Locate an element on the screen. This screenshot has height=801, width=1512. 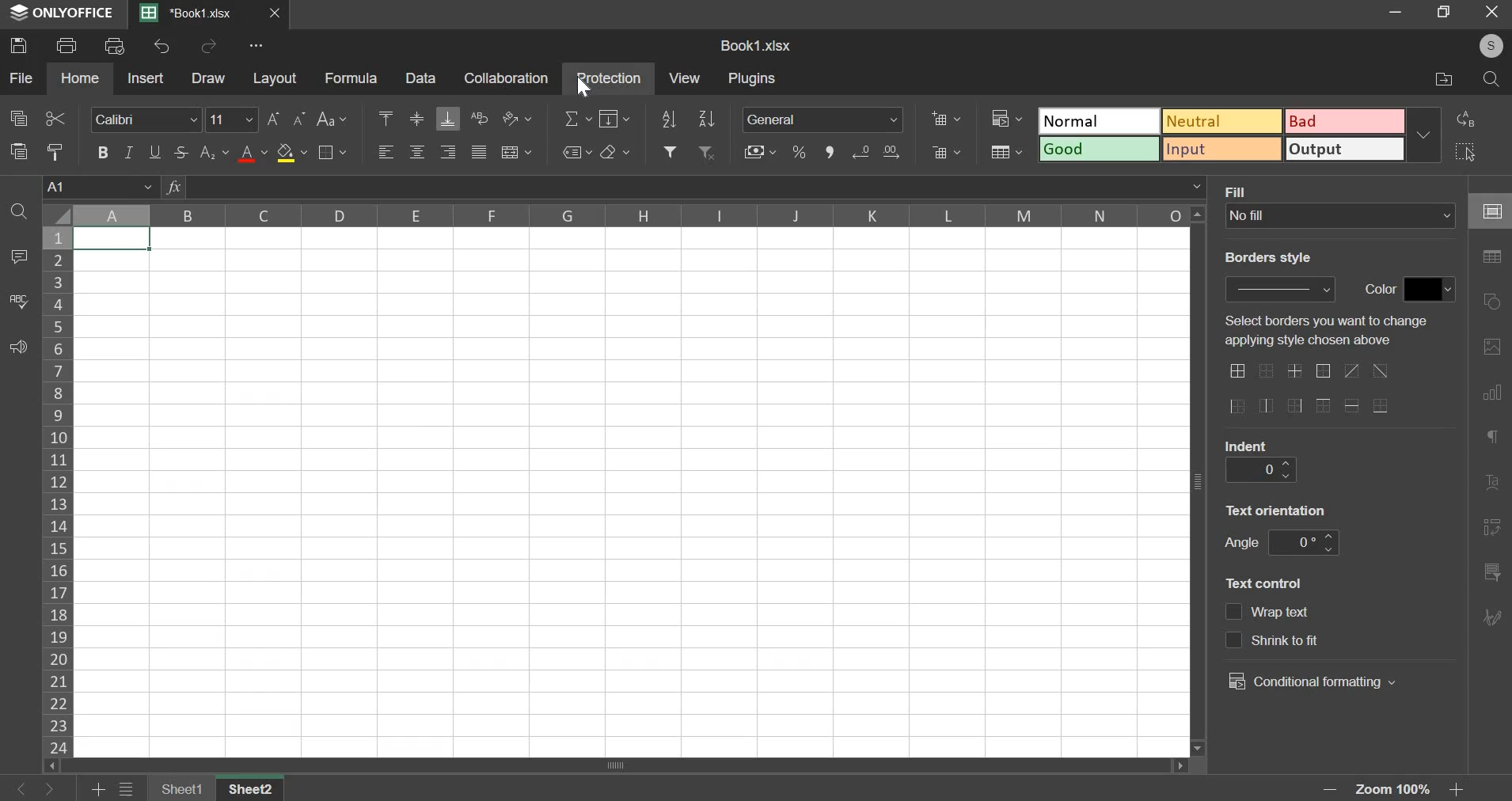
select is located at coordinates (1479, 151).